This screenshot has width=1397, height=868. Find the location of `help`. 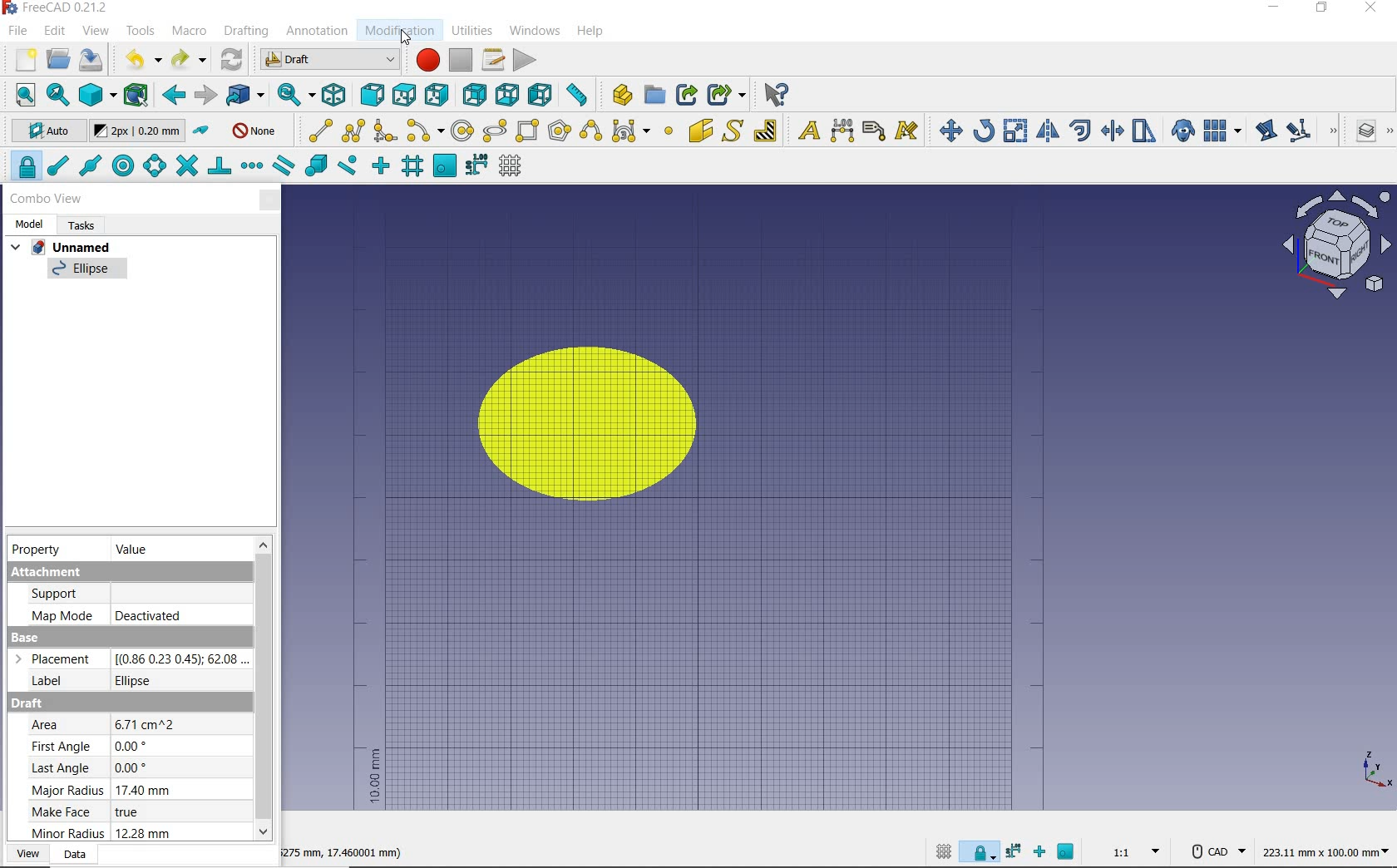

help is located at coordinates (592, 32).